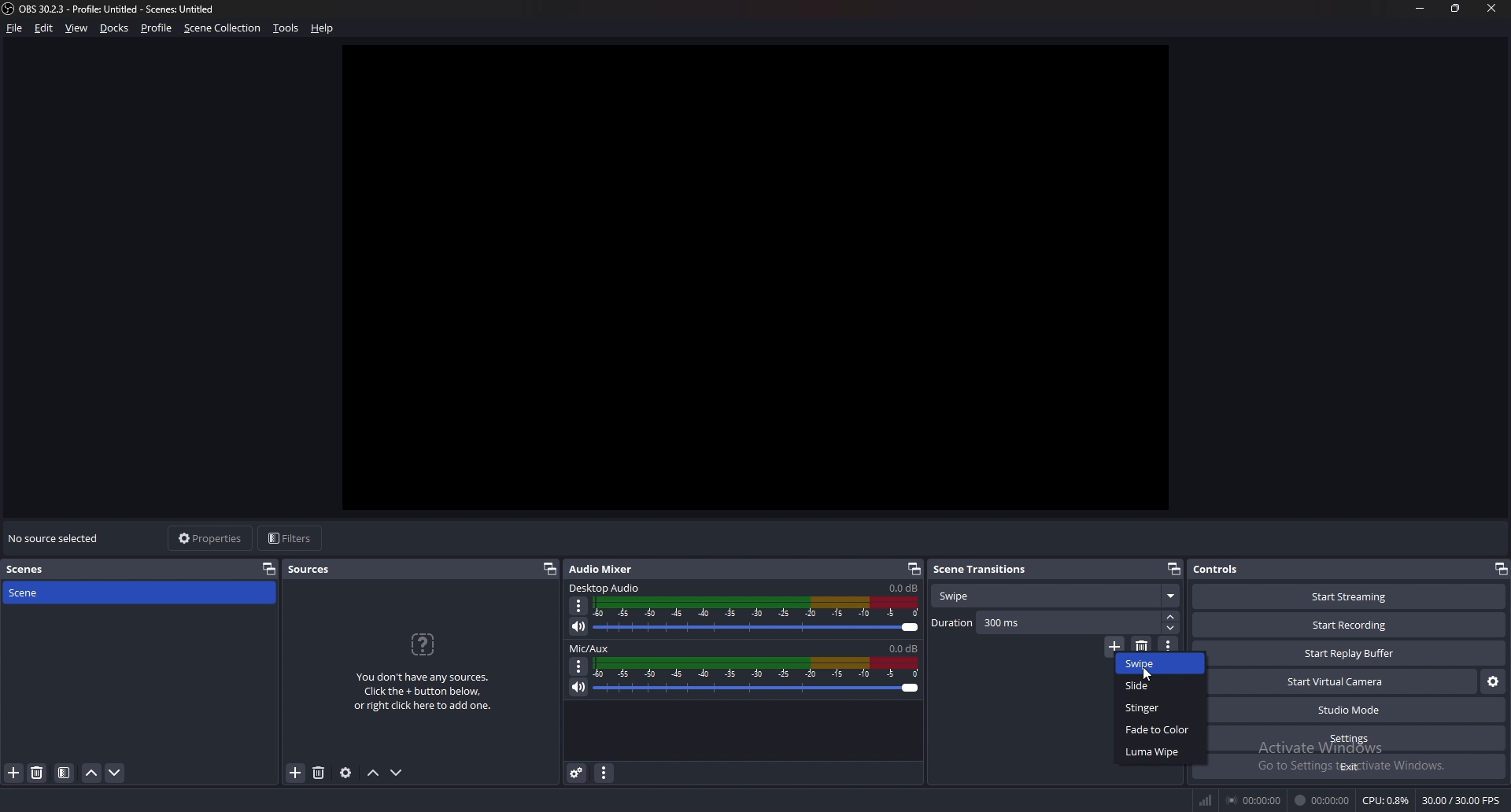 This screenshot has width=1511, height=812. What do you see at coordinates (577, 773) in the screenshot?
I see `advanced audio properties` at bounding box center [577, 773].